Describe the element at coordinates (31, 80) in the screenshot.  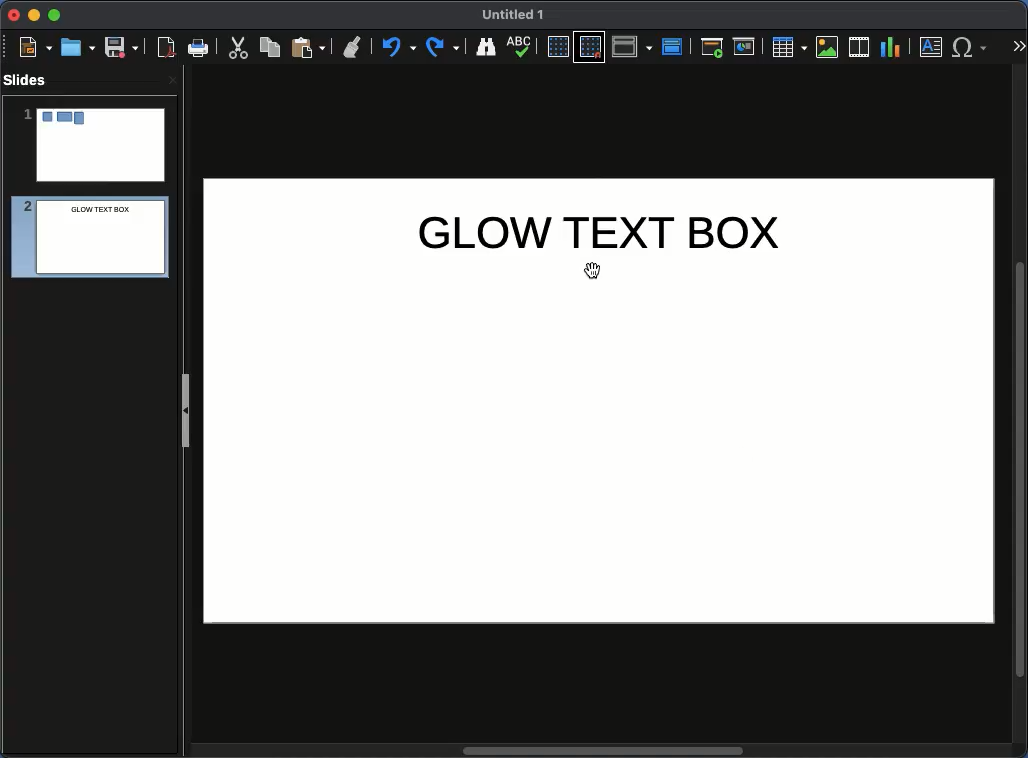
I see `Slides` at that location.